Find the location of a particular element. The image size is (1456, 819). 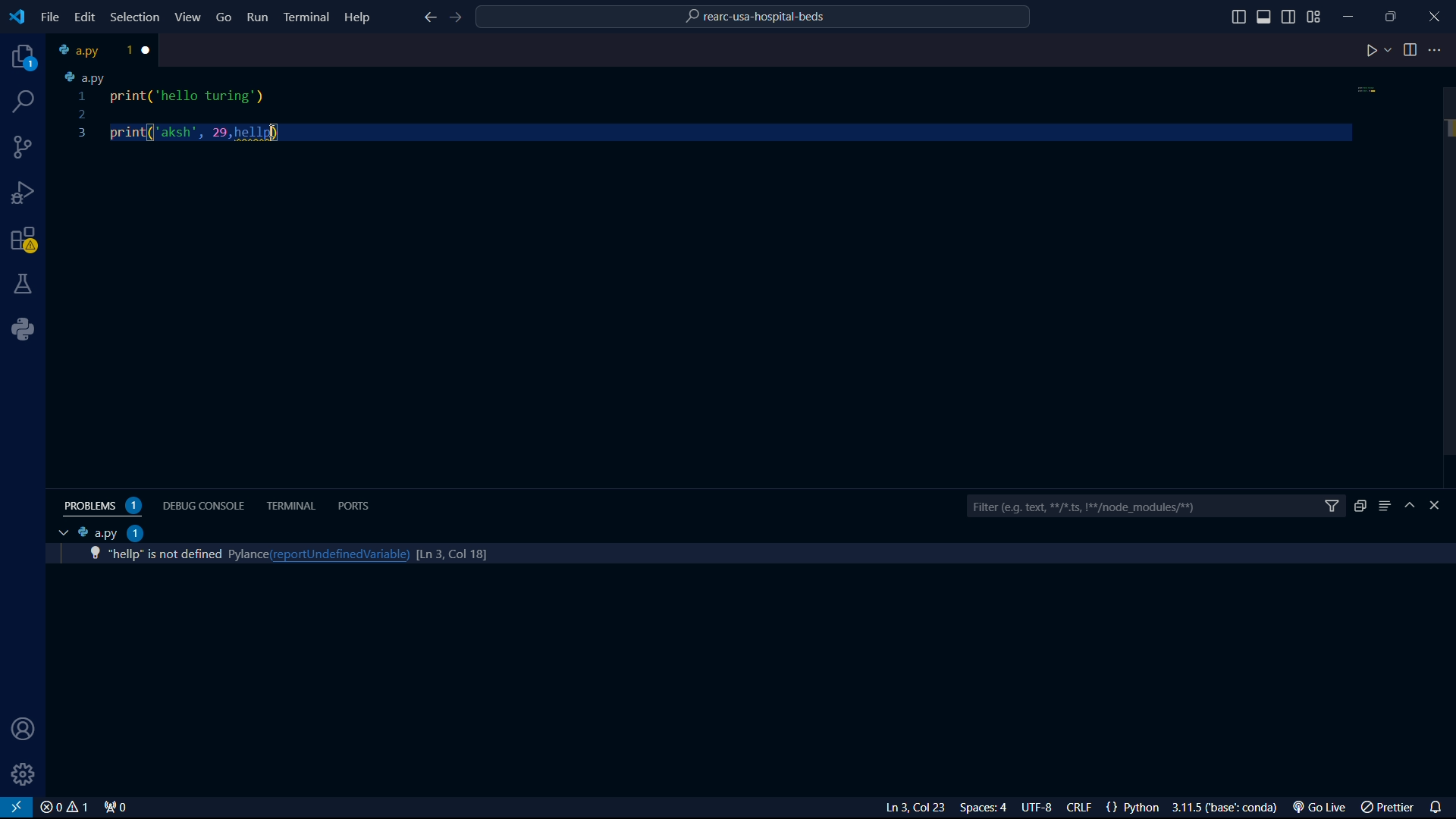

UTF-8 is located at coordinates (1043, 808).